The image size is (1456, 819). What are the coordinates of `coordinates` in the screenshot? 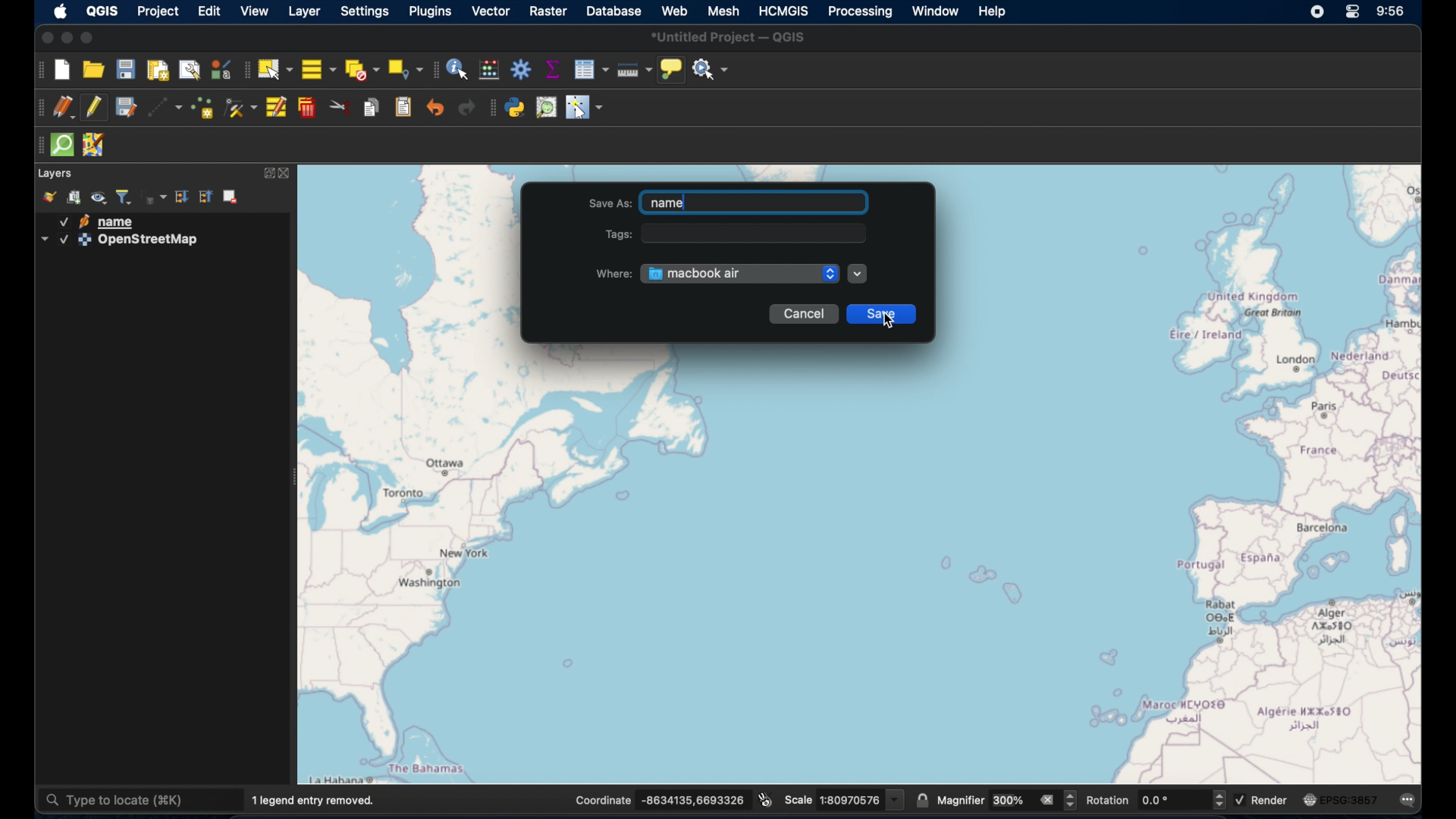 It's located at (662, 801).